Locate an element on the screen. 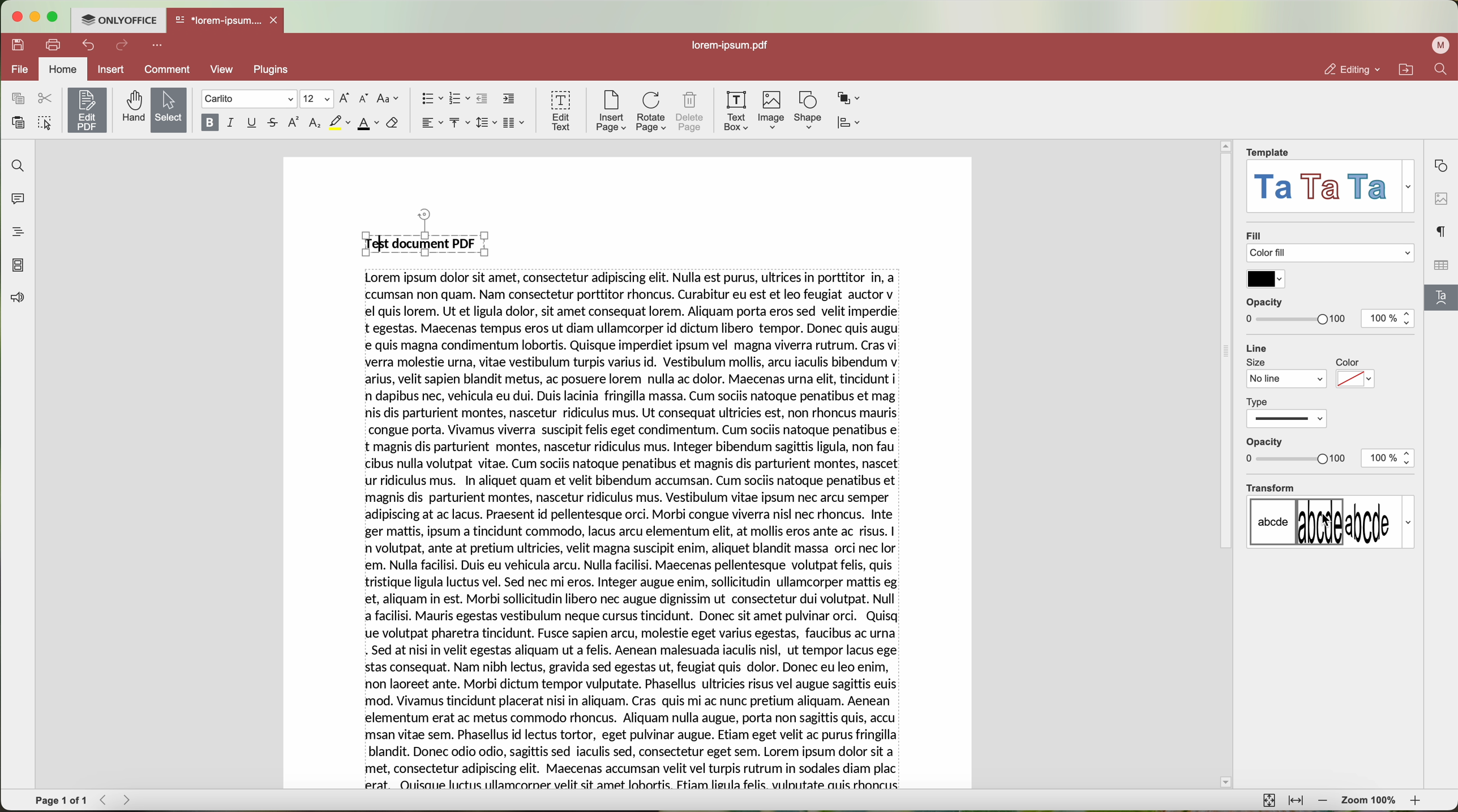 Image resolution: width=1458 pixels, height=812 pixels. underline is located at coordinates (253, 123).